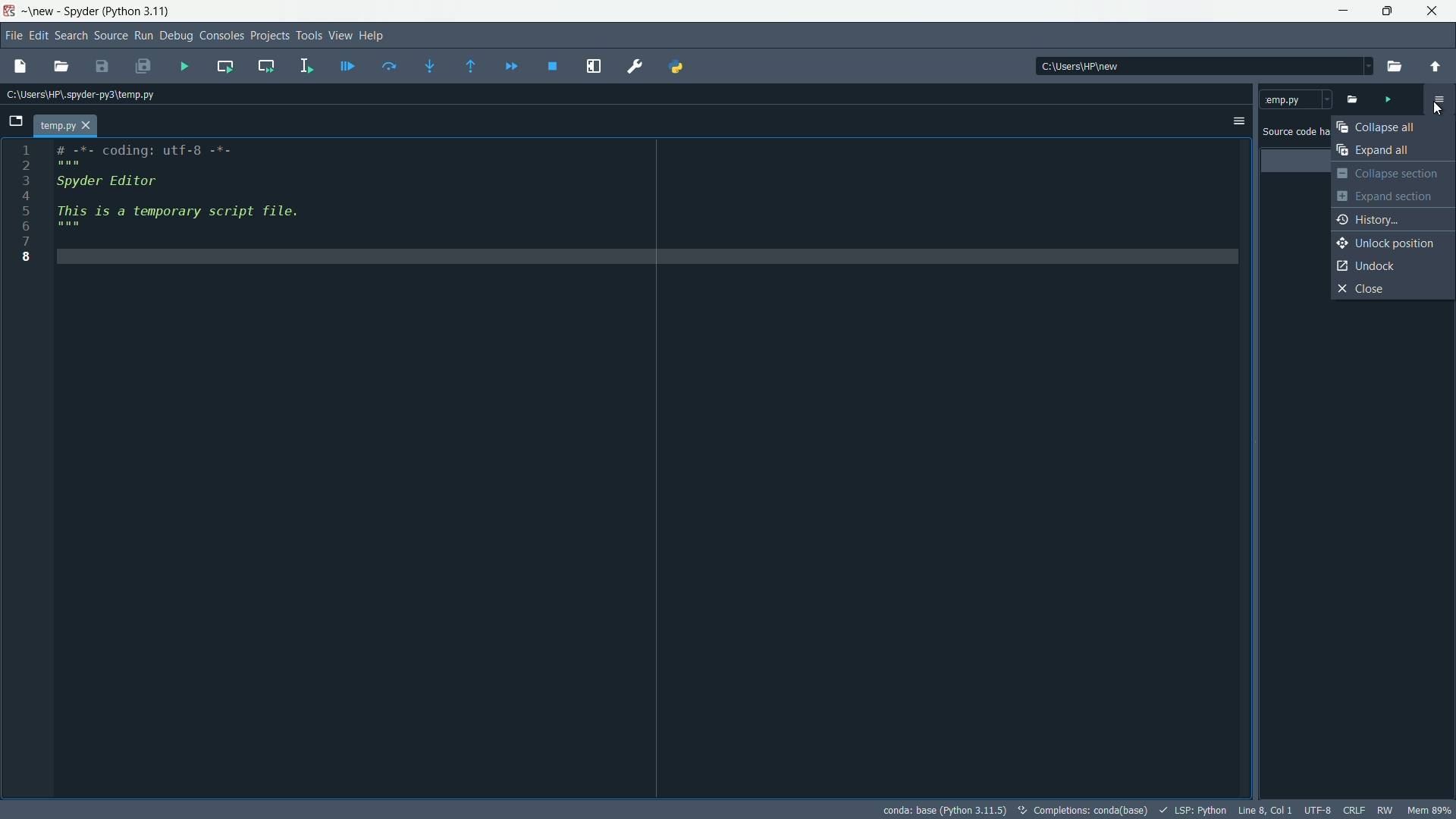 This screenshot has width=1456, height=819. Describe the element at coordinates (26, 210) in the screenshot. I see `5` at that location.